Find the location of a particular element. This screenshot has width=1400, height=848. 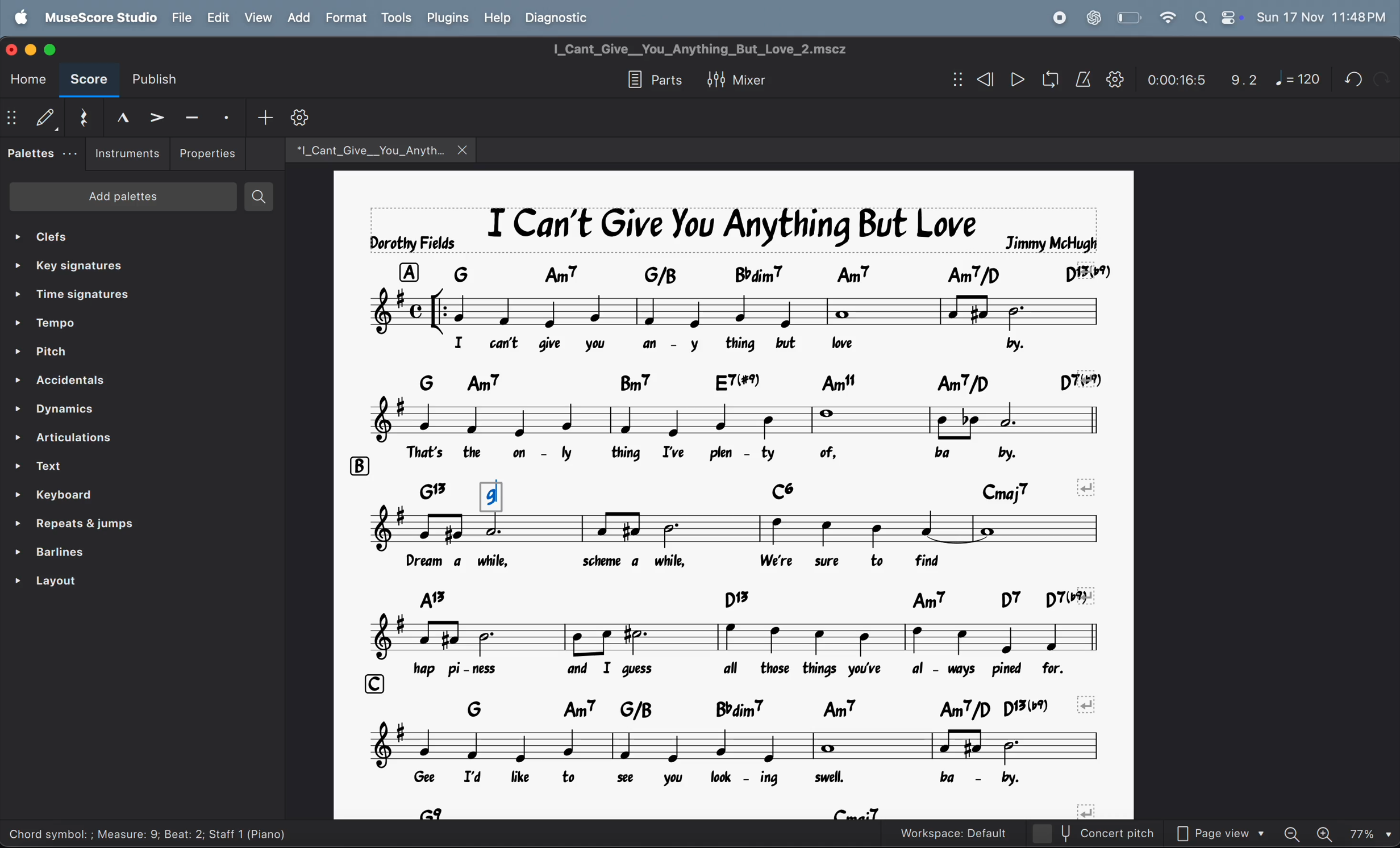

zoom in zoom out is located at coordinates (1336, 834).